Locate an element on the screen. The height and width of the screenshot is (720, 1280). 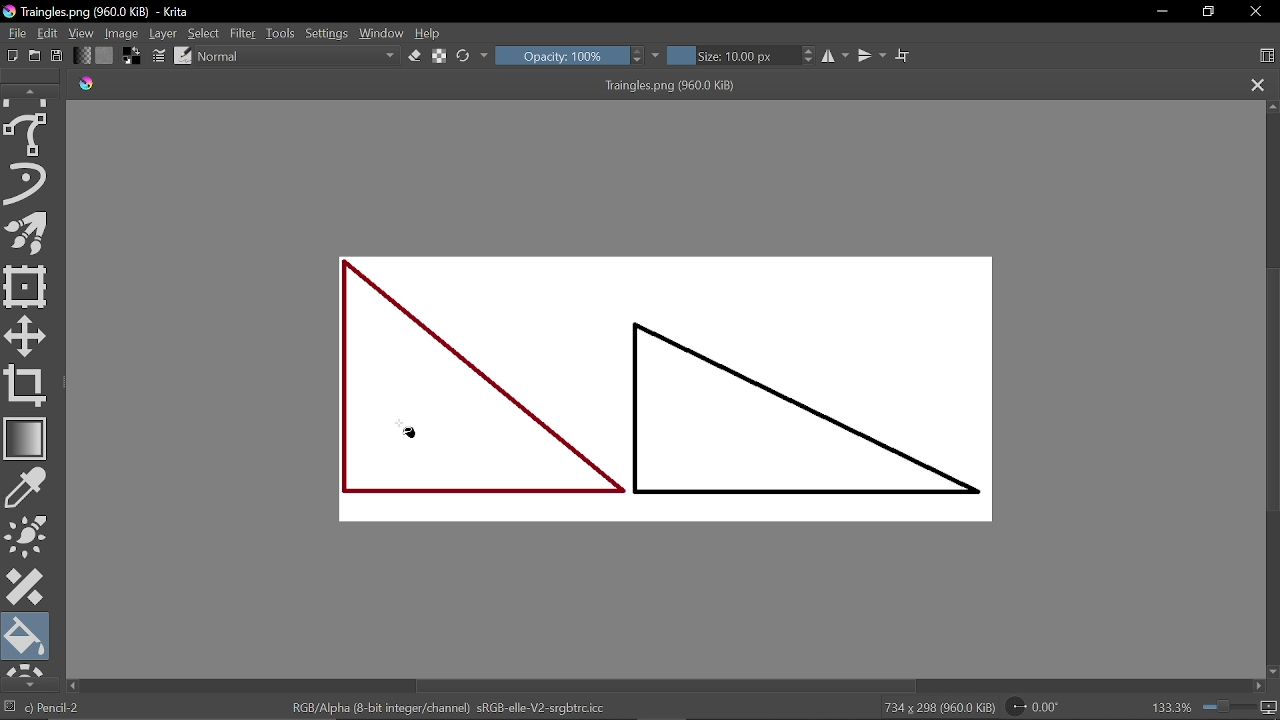
Freeehand path tool is located at coordinates (29, 135).